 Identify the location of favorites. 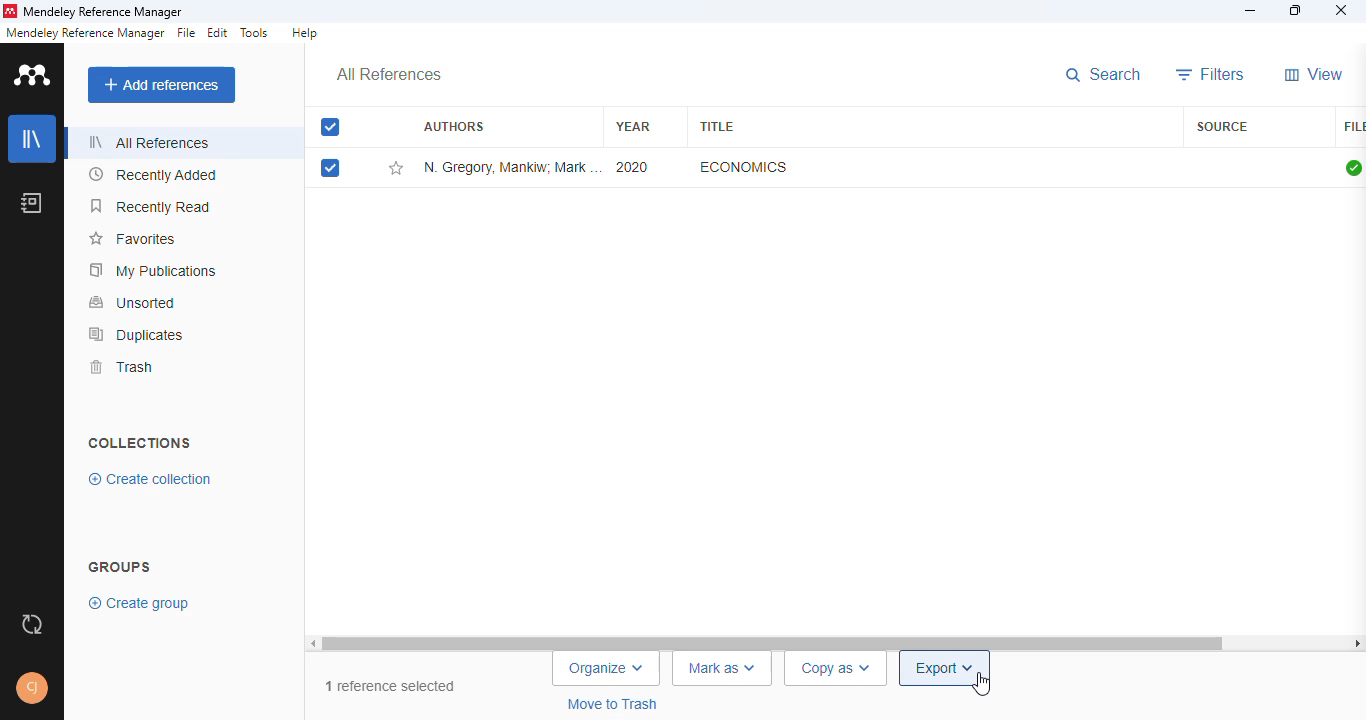
(131, 239).